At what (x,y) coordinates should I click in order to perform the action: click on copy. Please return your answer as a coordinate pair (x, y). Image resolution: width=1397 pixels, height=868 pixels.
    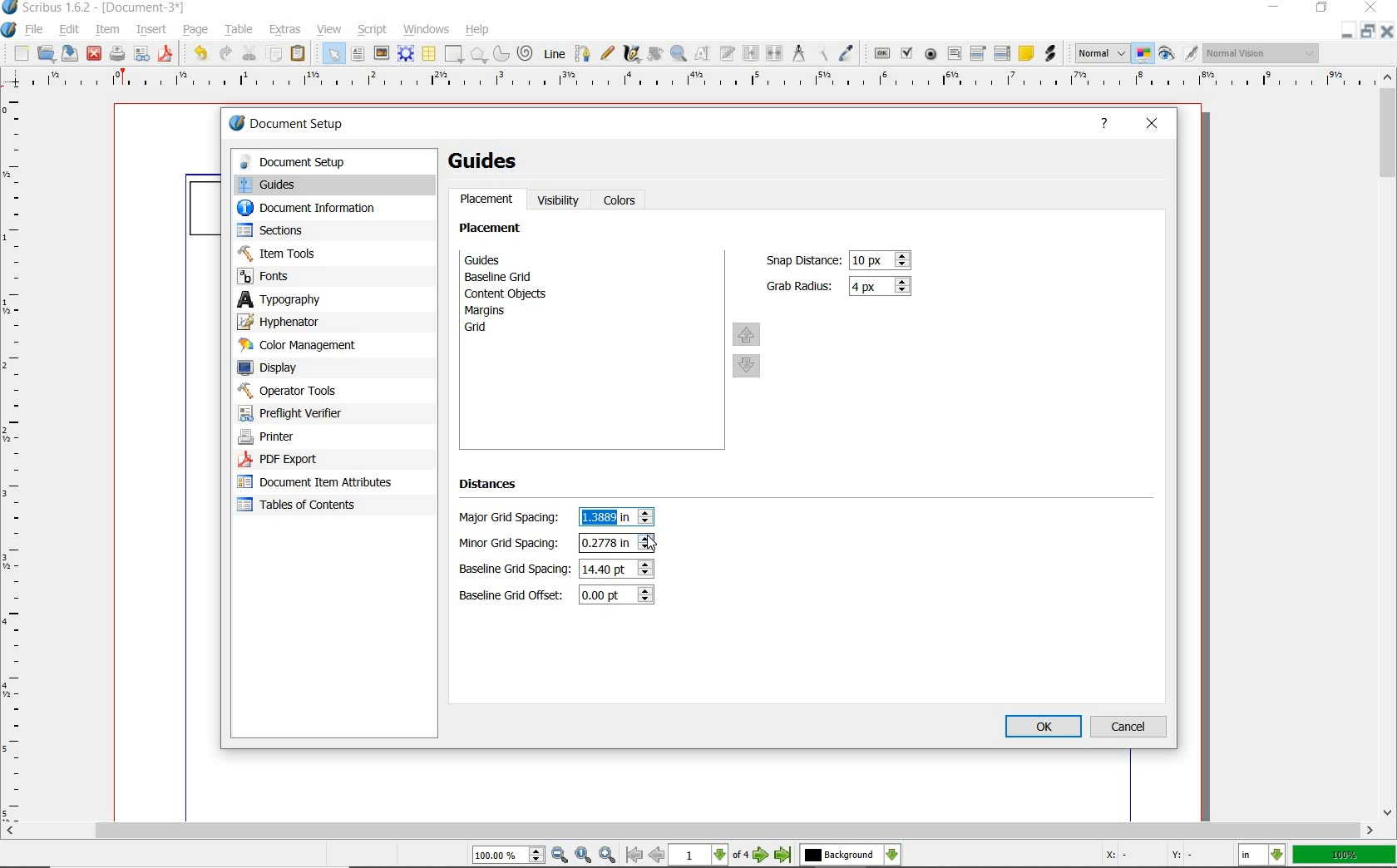
    Looking at the image, I should click on (274, 56).